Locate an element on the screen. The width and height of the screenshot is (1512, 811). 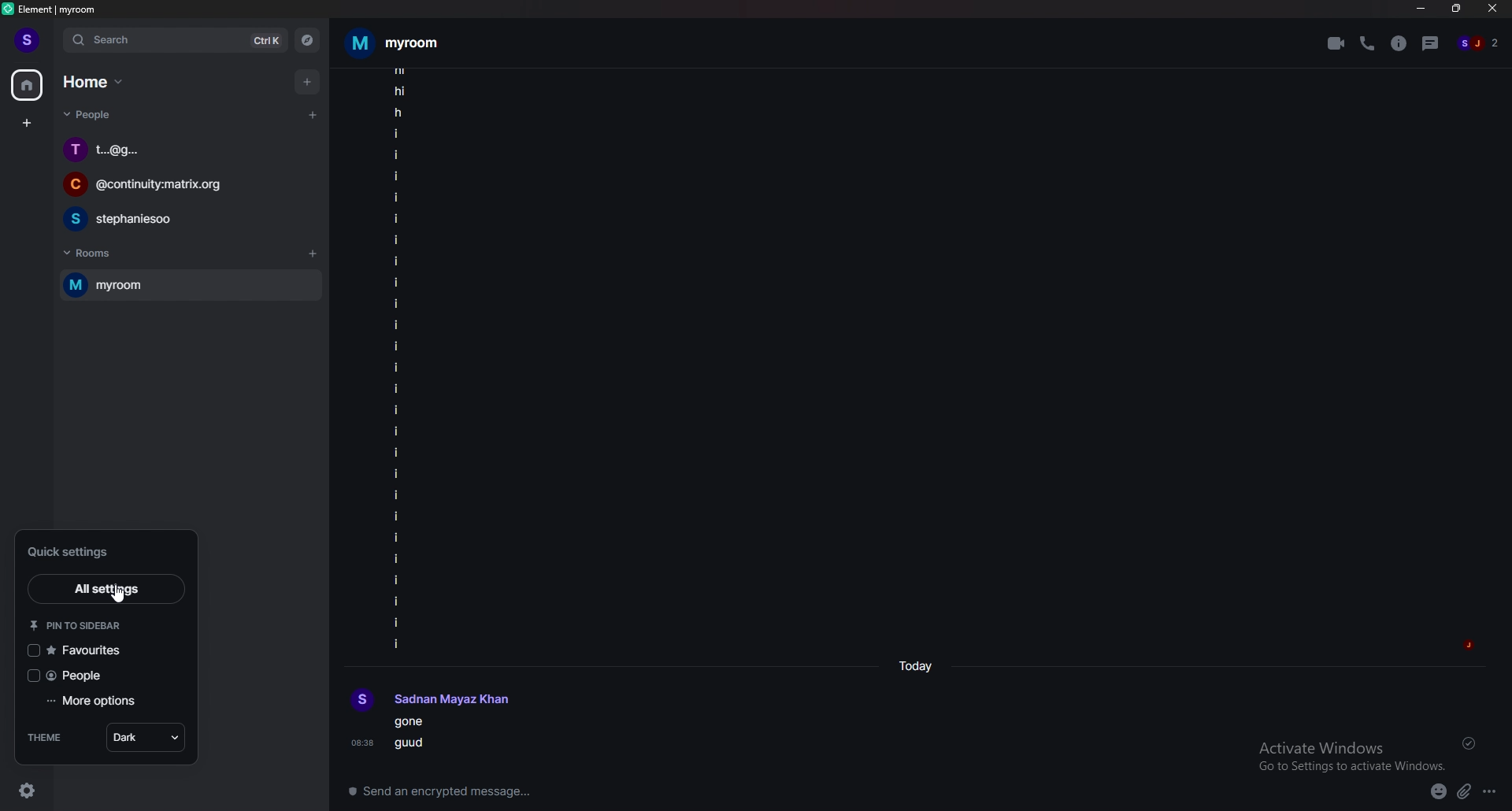
Home is located at coordinates (96, 80).